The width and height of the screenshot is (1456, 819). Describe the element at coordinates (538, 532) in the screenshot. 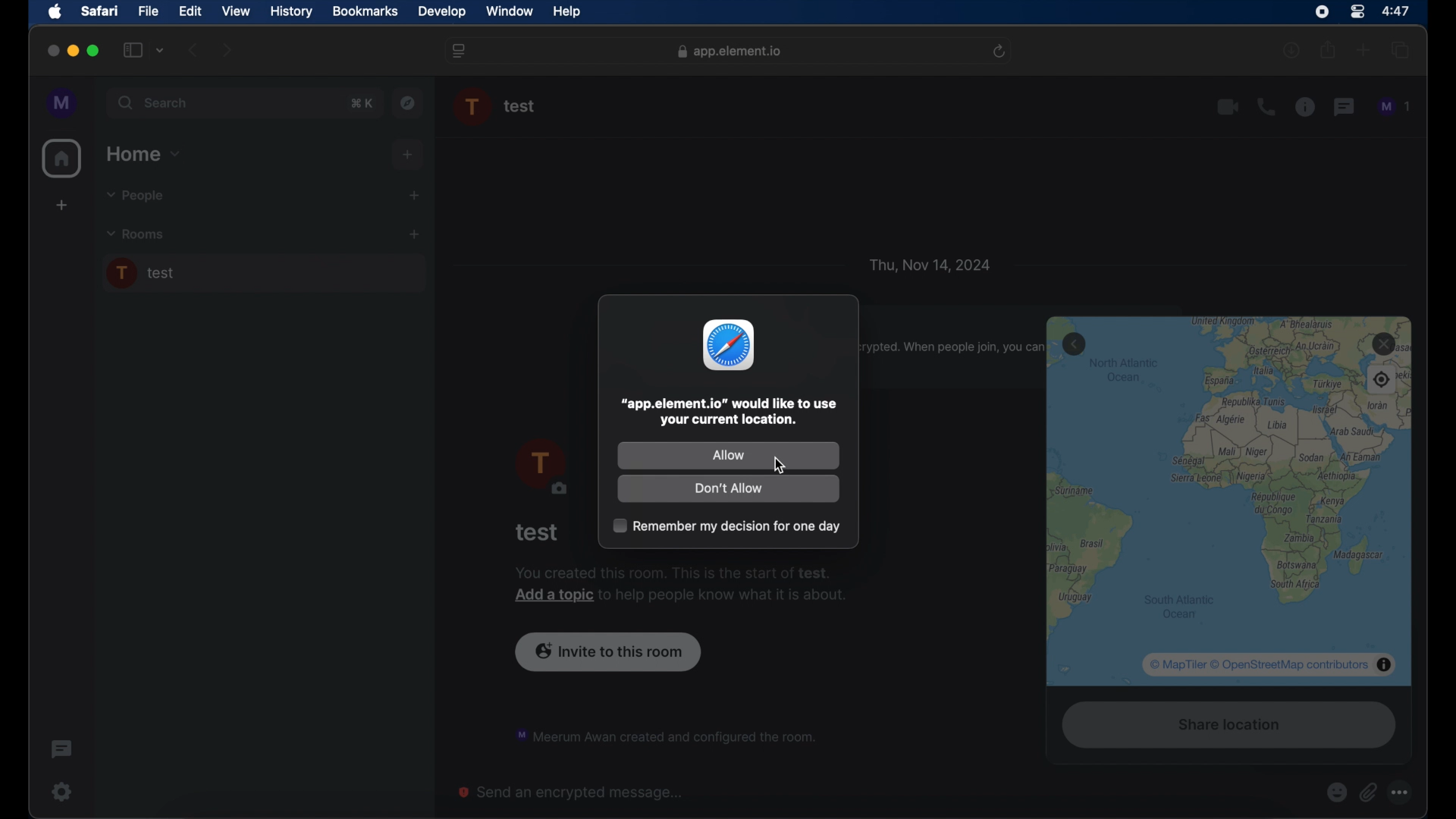

I see `test` at that location.